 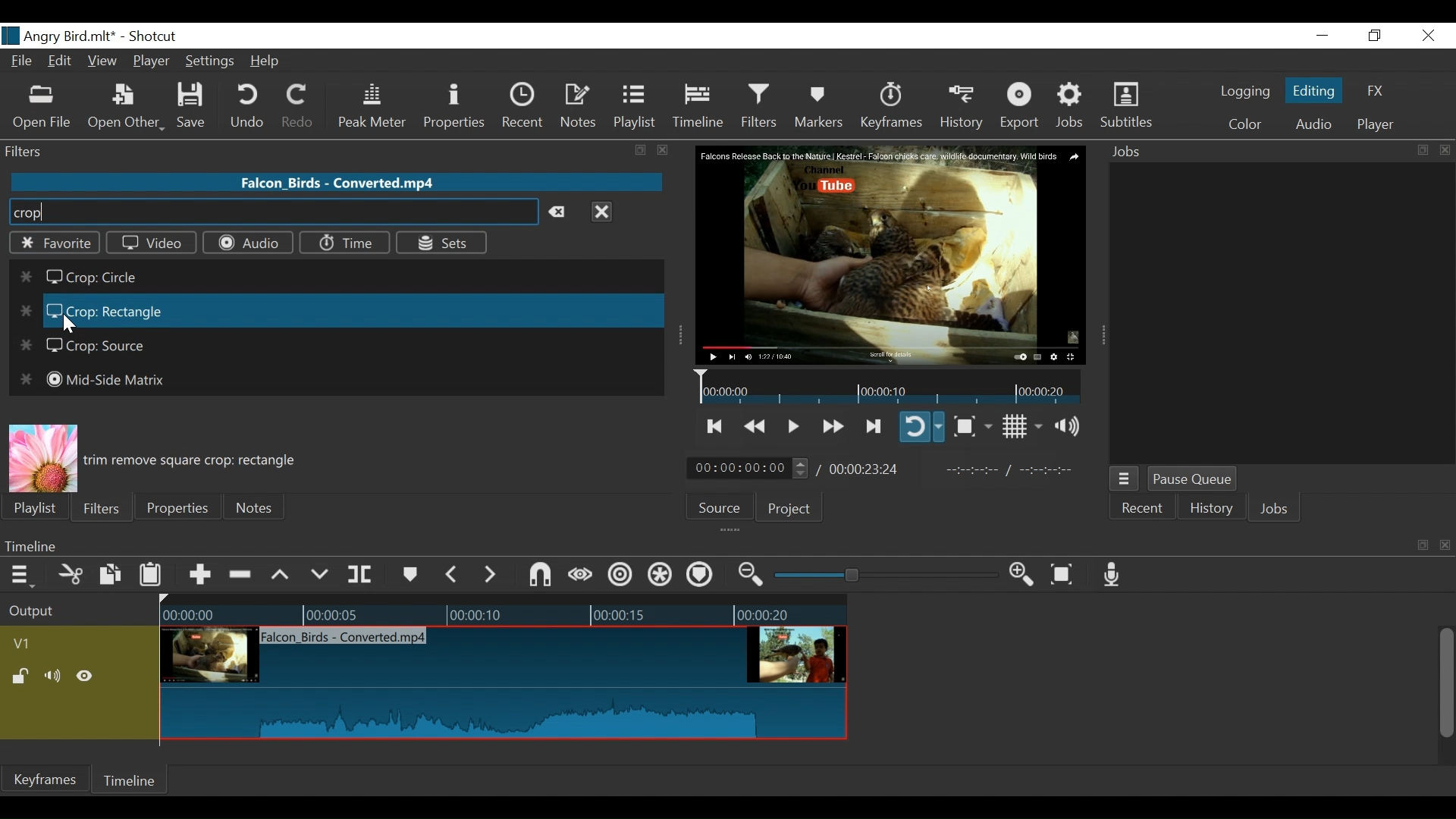 What do you see at coordinates (94, 312) in the screenshot?
I see `Color Grading` at bounding box center [94, 312].